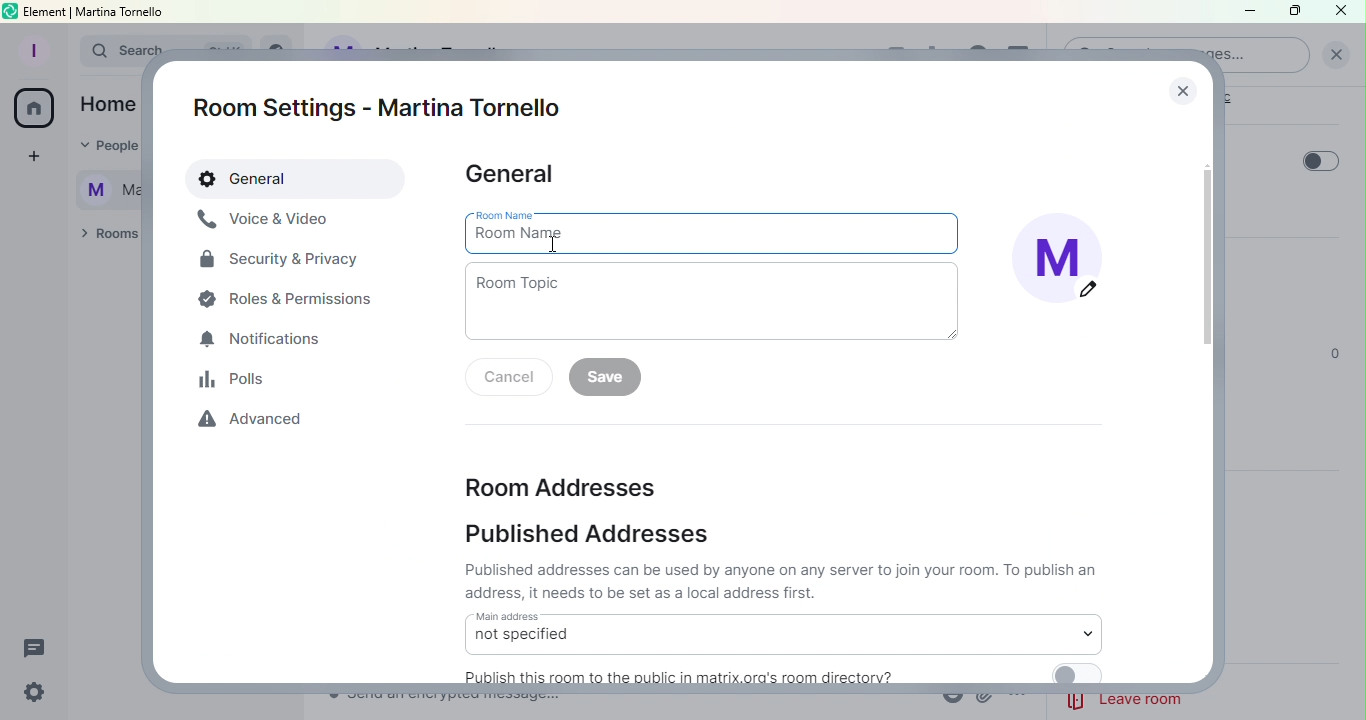  I want to click on General, so click(513, 175).